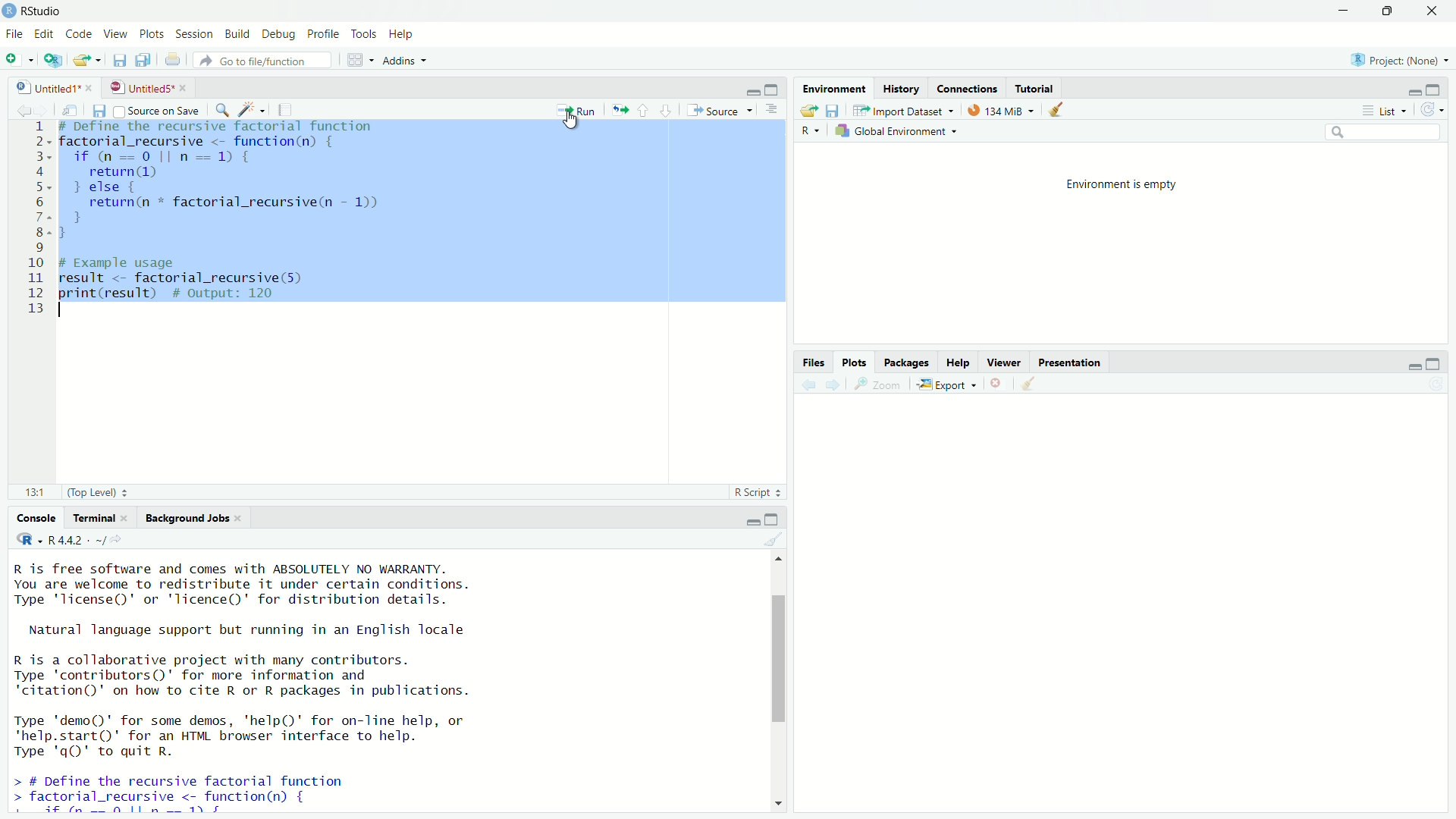  What do you see at coordinates (151, 33) in the screenshot?
I see `Plots` at bounding box center [151, 33].